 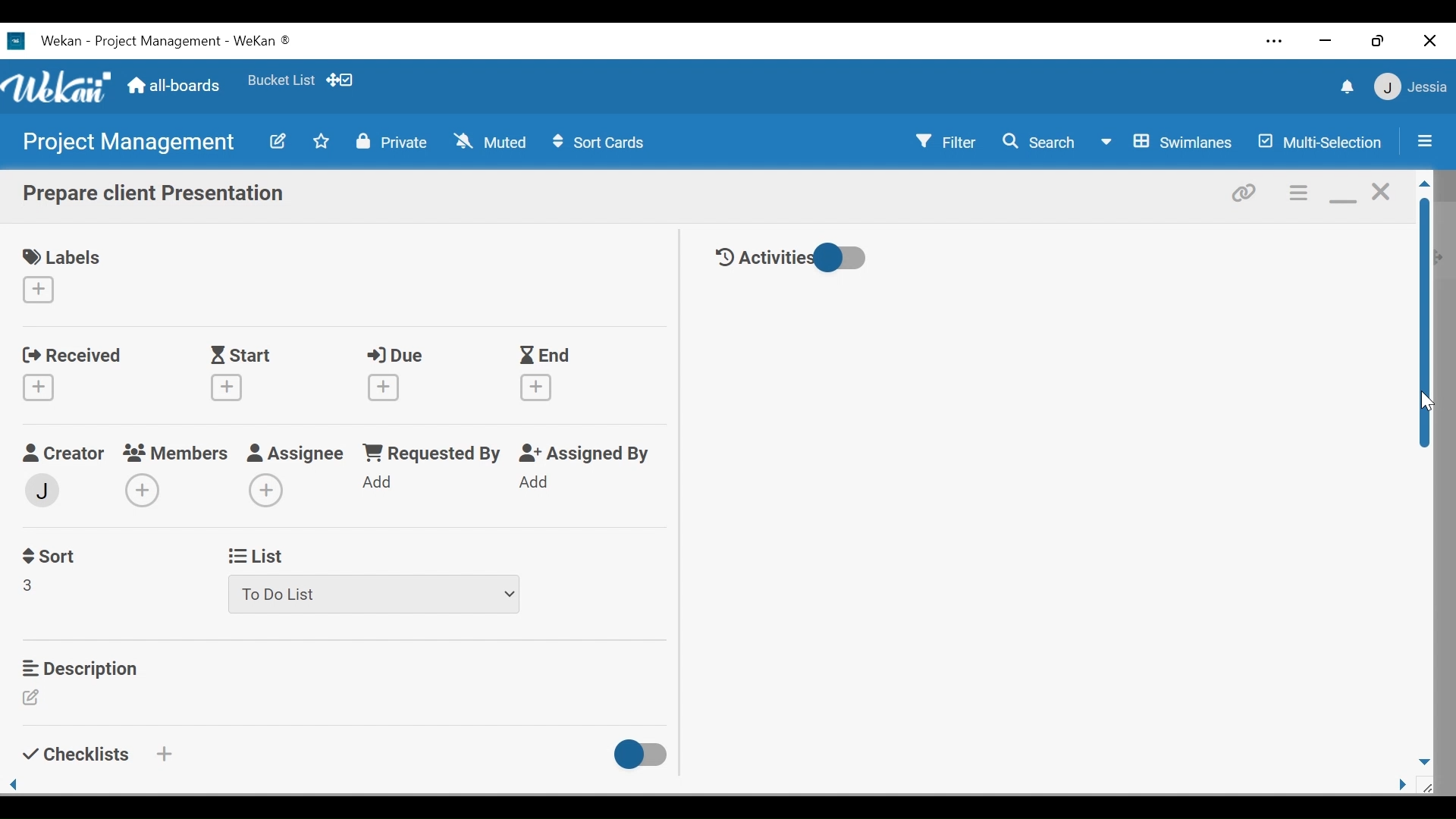 I want to click on Multi-Selection, so click(x=1317, y=142).